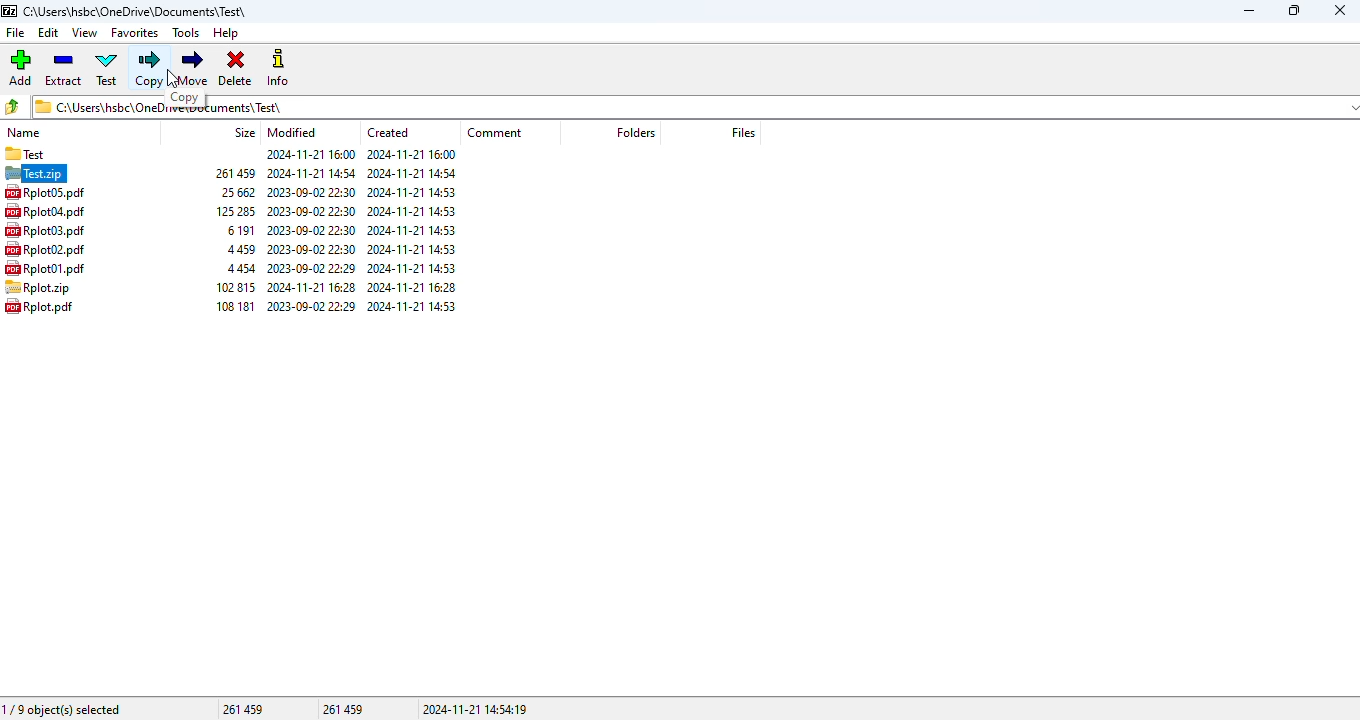 Image resolution: width=1360 pixels, height=720 pixels. I want to click on test, so click(107, 70).